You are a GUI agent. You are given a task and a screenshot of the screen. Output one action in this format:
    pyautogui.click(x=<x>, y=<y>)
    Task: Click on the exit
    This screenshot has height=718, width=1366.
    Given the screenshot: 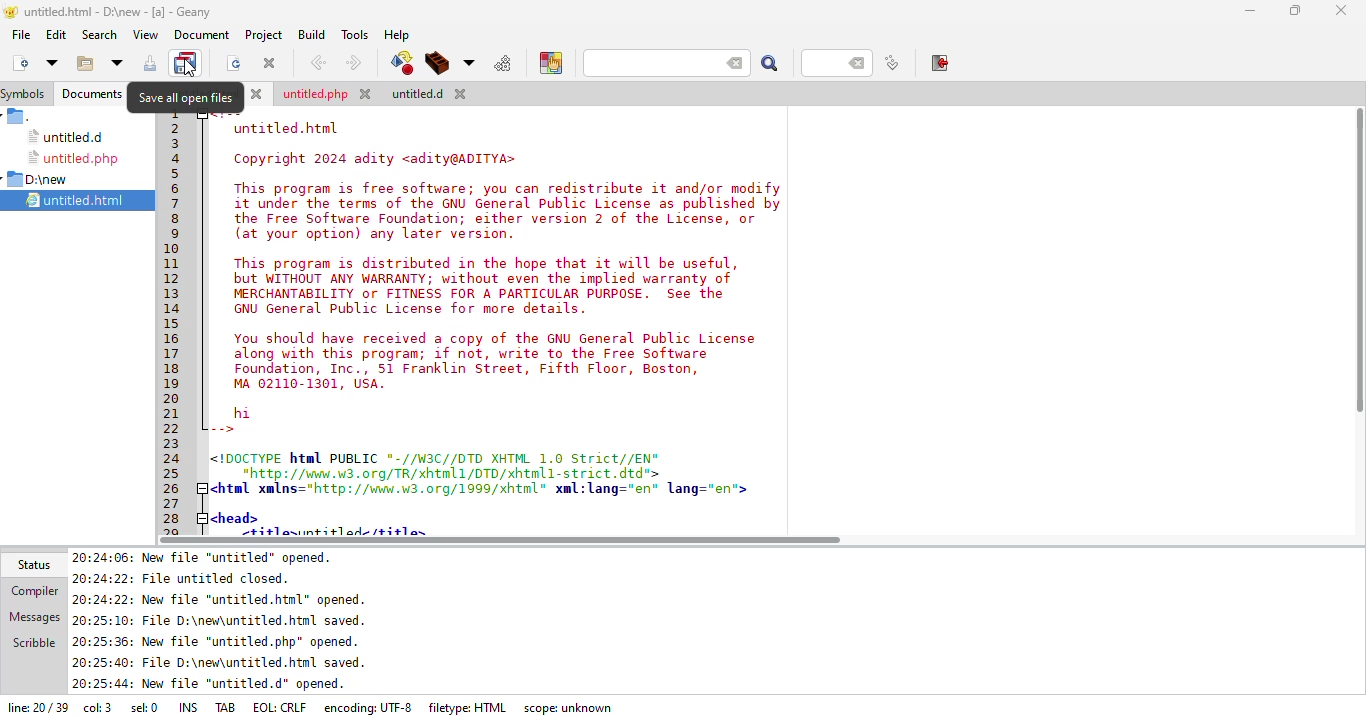 What is the action you would take?
    pyautogui.click(x=939, y=62)
    